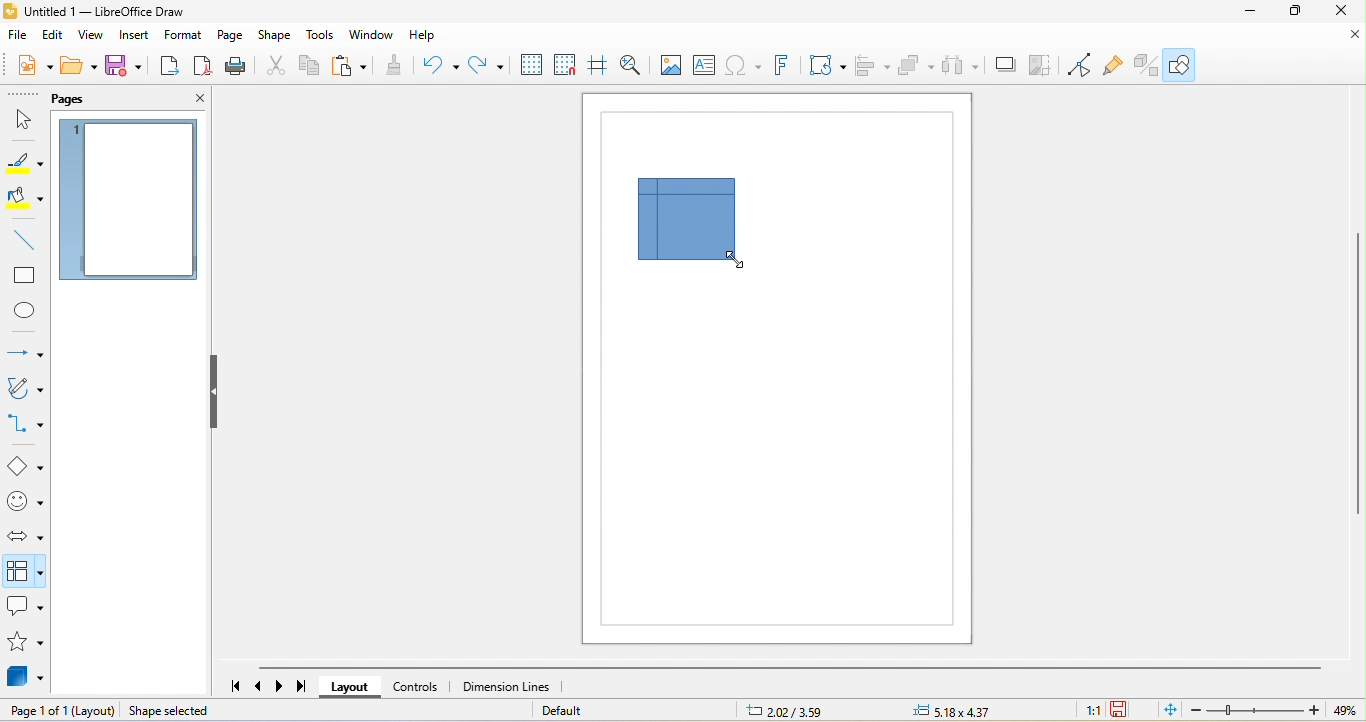 The image size is (1366, 722). Describe the element at coordinates (284, 685) in the screenshot. I see `scroll to next page` at that location.